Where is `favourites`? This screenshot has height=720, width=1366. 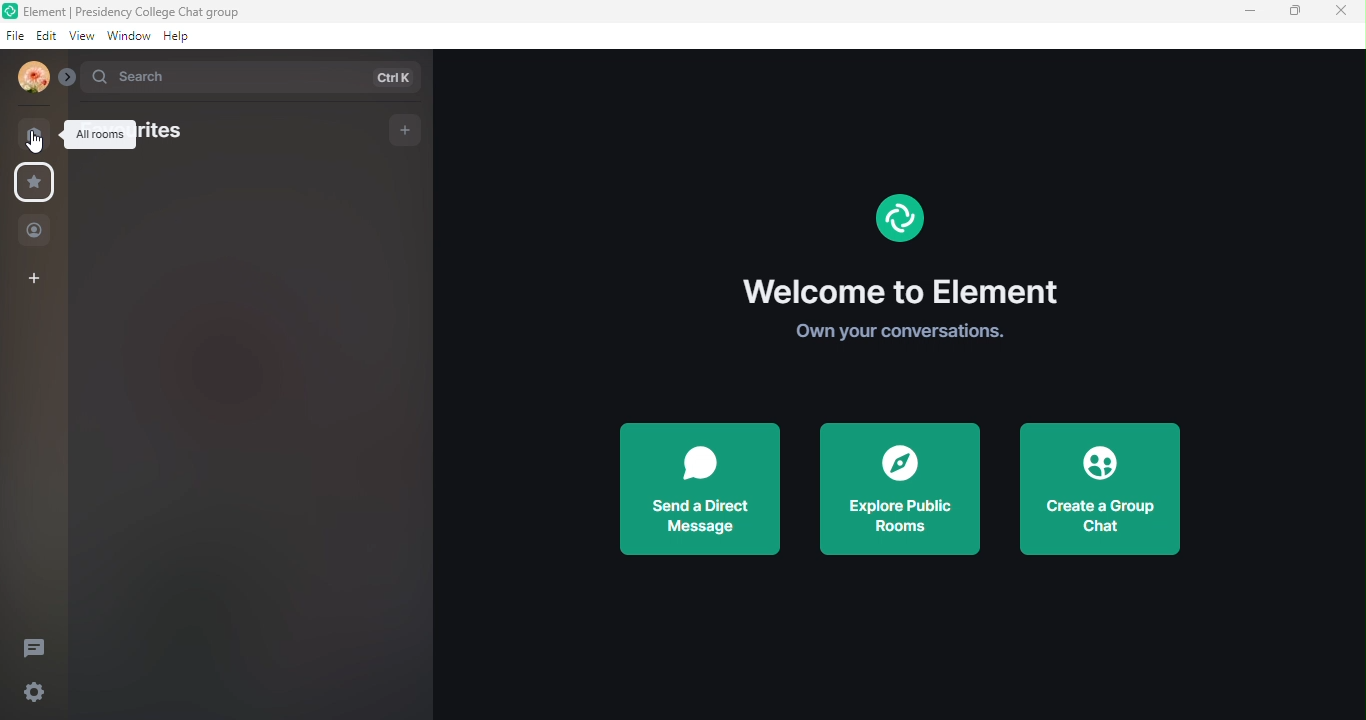
favourites is located at coordinates (38, 184).